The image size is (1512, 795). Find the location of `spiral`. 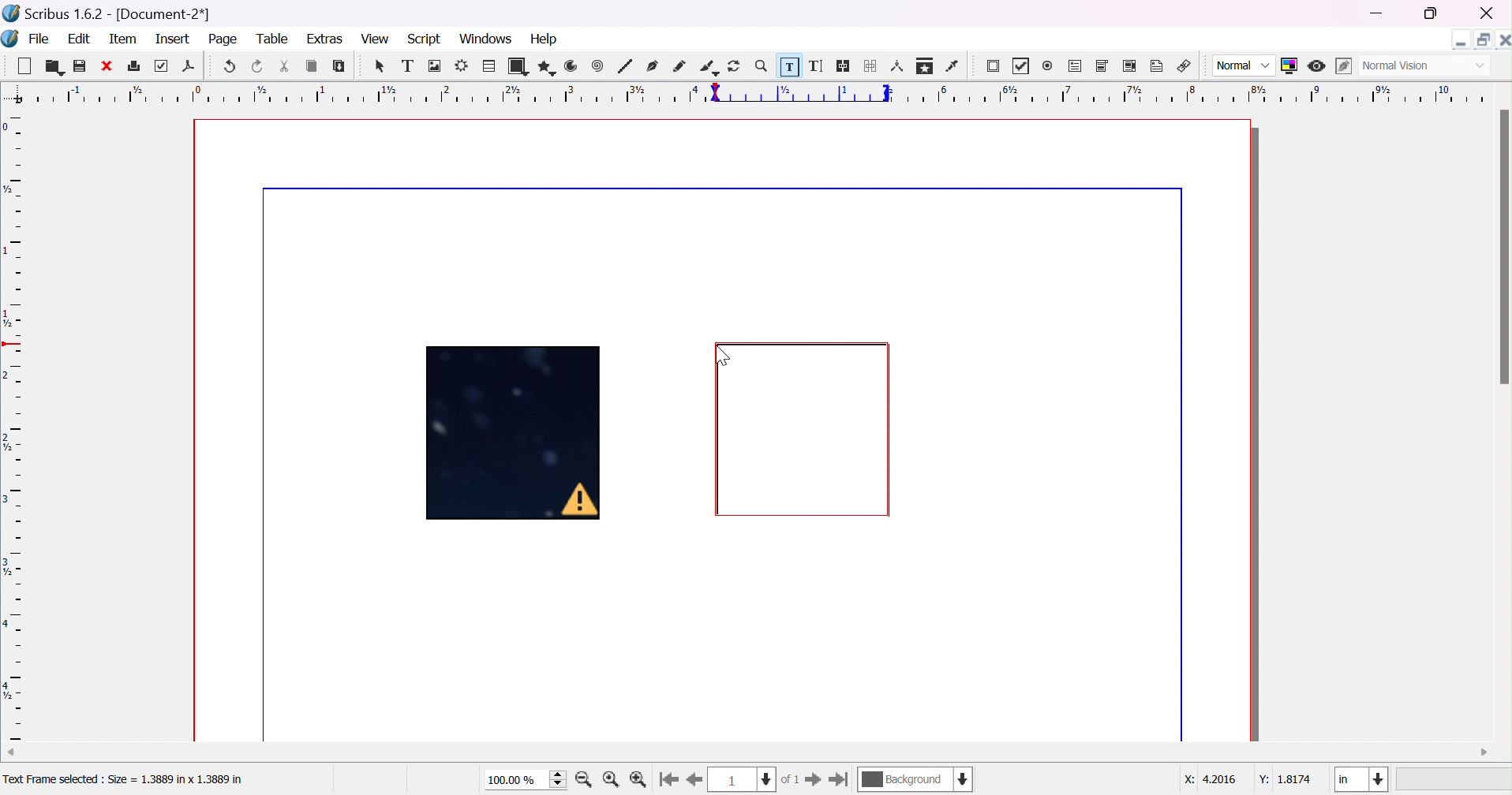

spiral is located at coordinates (597, 65).